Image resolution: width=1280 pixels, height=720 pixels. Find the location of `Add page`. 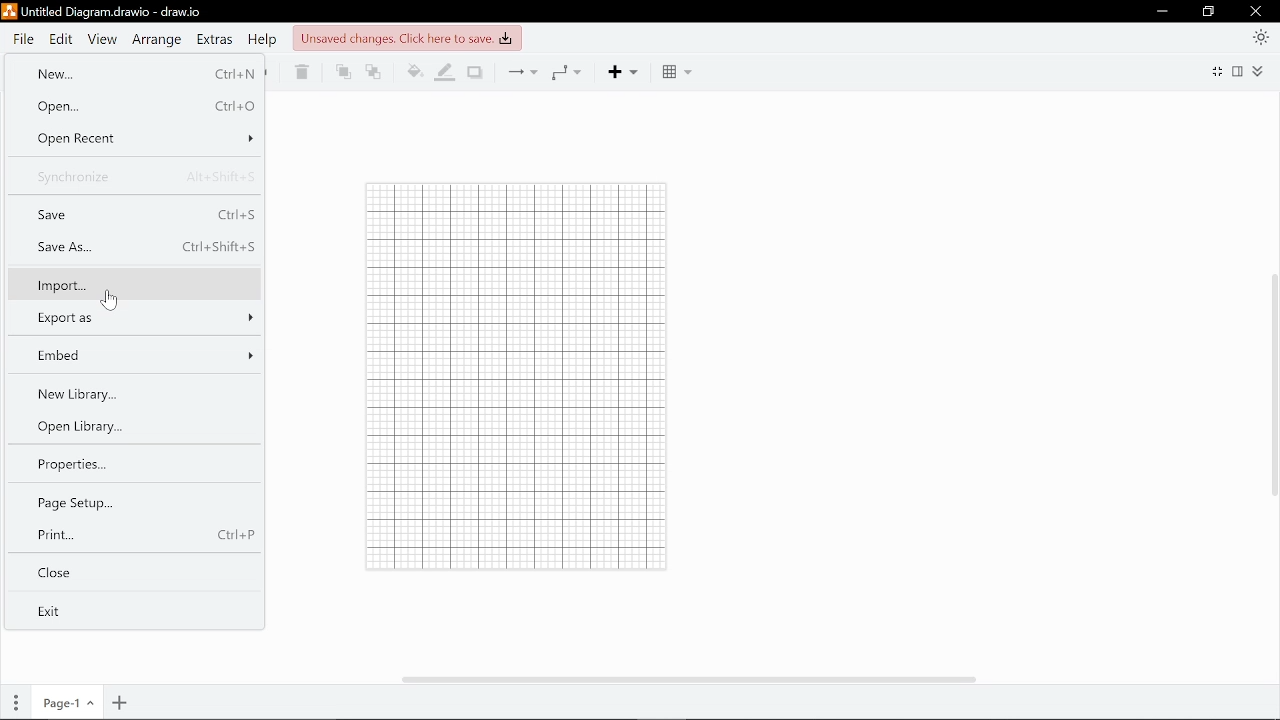

Add page is located at coordinates (122, 702).